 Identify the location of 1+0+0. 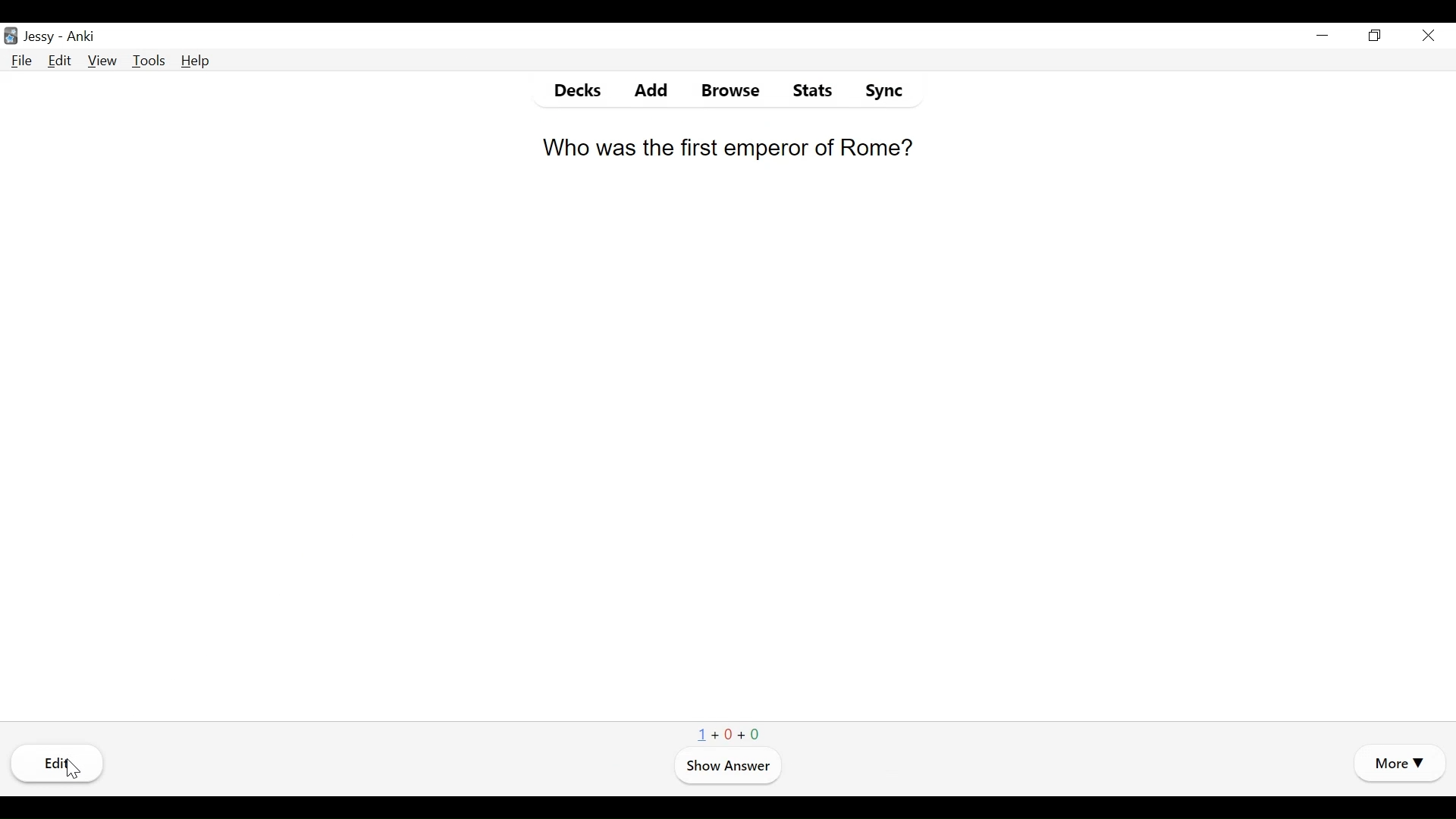
(730, 732).